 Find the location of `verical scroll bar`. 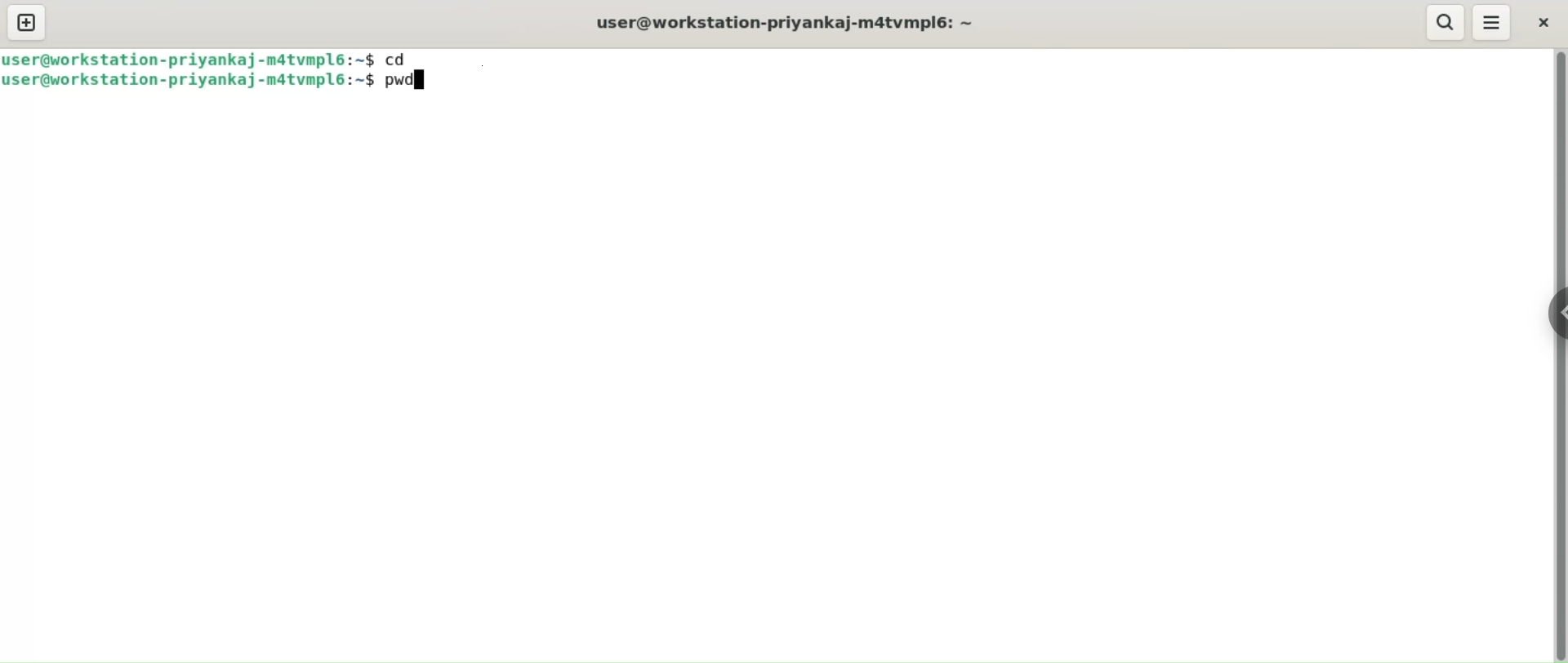

verical scroll bar is located at coordinates (1558, 356).